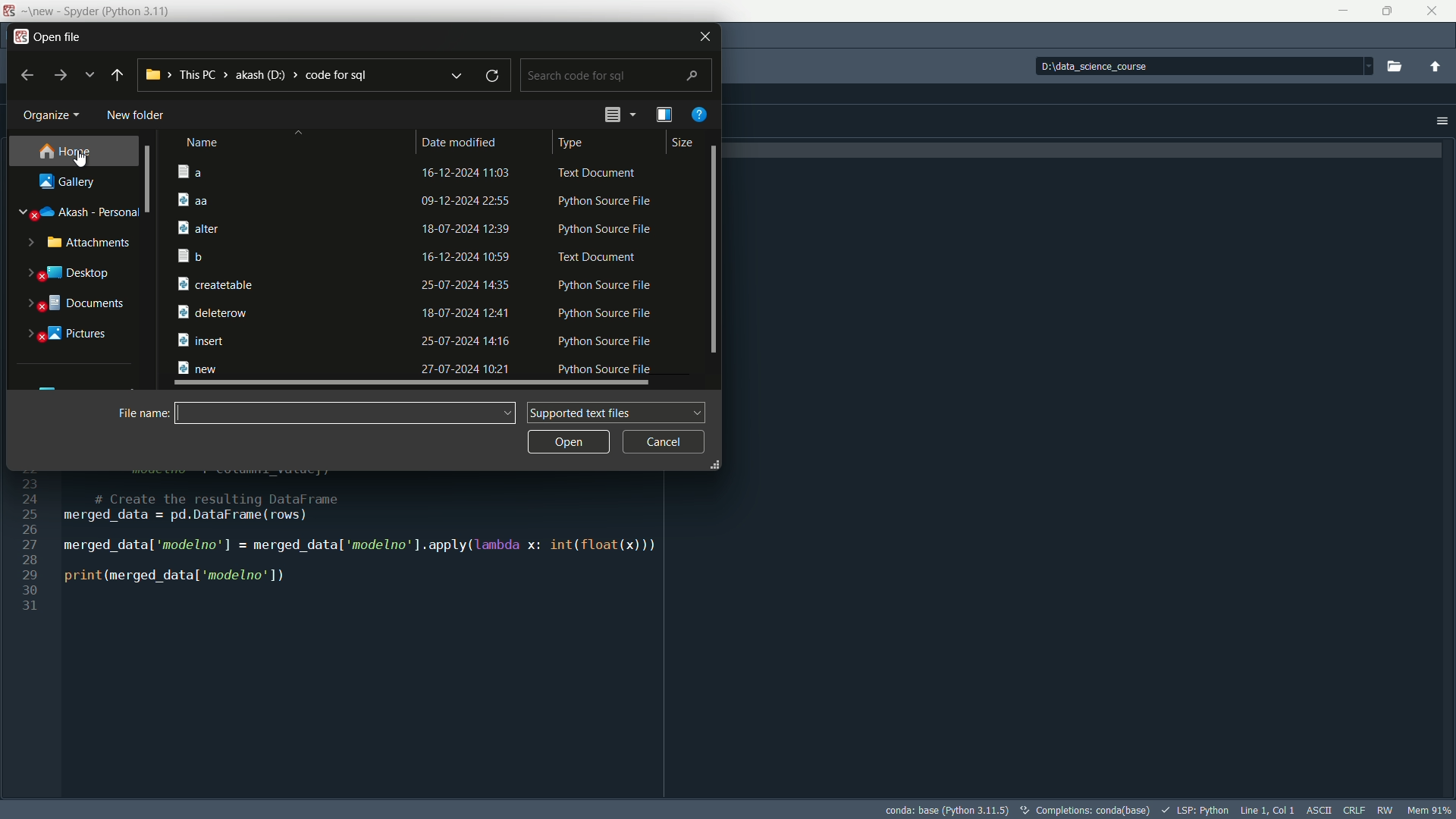 The width and height of the screenshot is (1456, 819). I want to click on file type, so click(609, 342).